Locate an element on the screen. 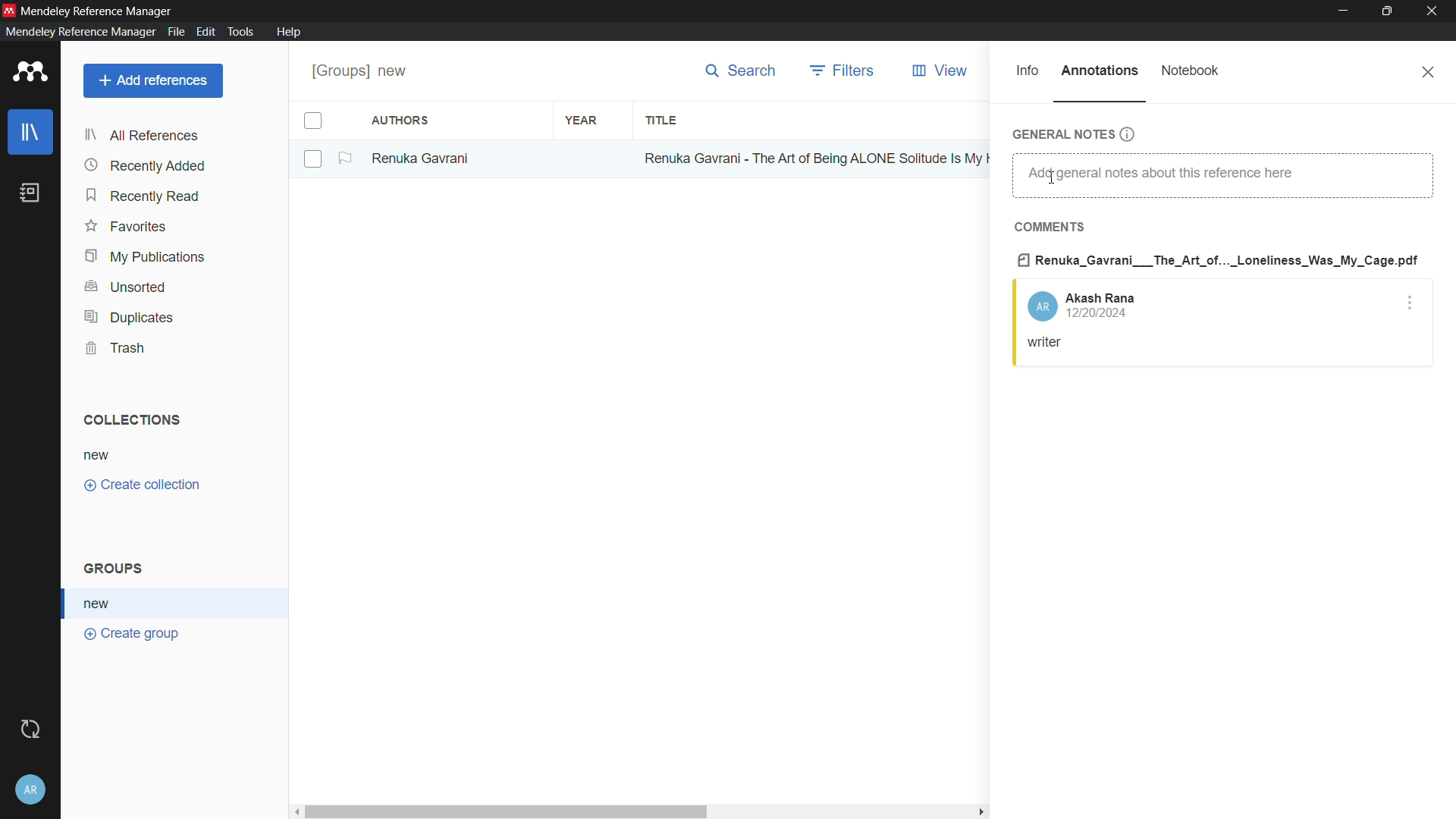 The image size is (1456, 819). groups new is located at coordinates (365, 71).